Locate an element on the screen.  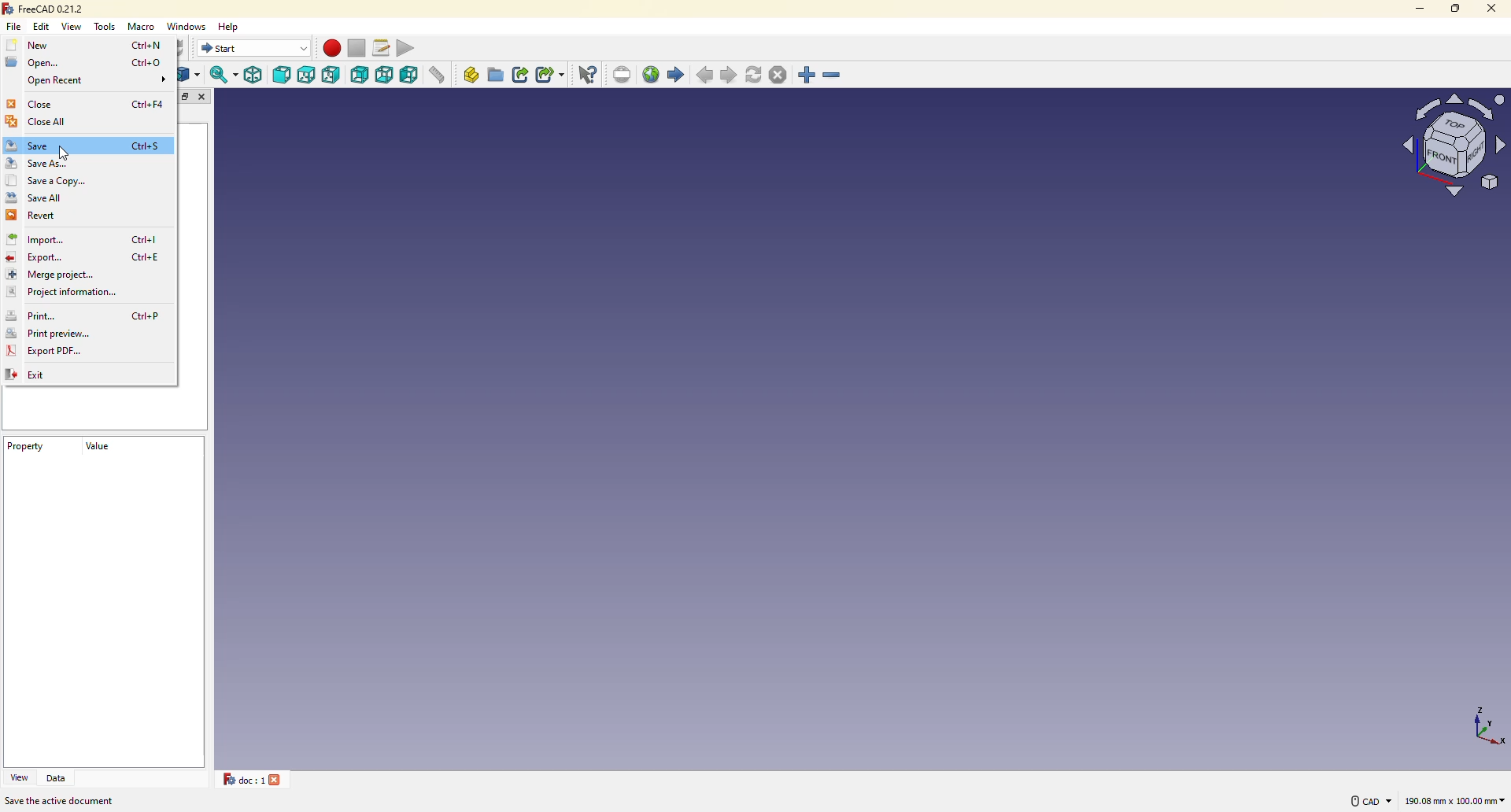
save the active document is located at coordinates (64, 800).